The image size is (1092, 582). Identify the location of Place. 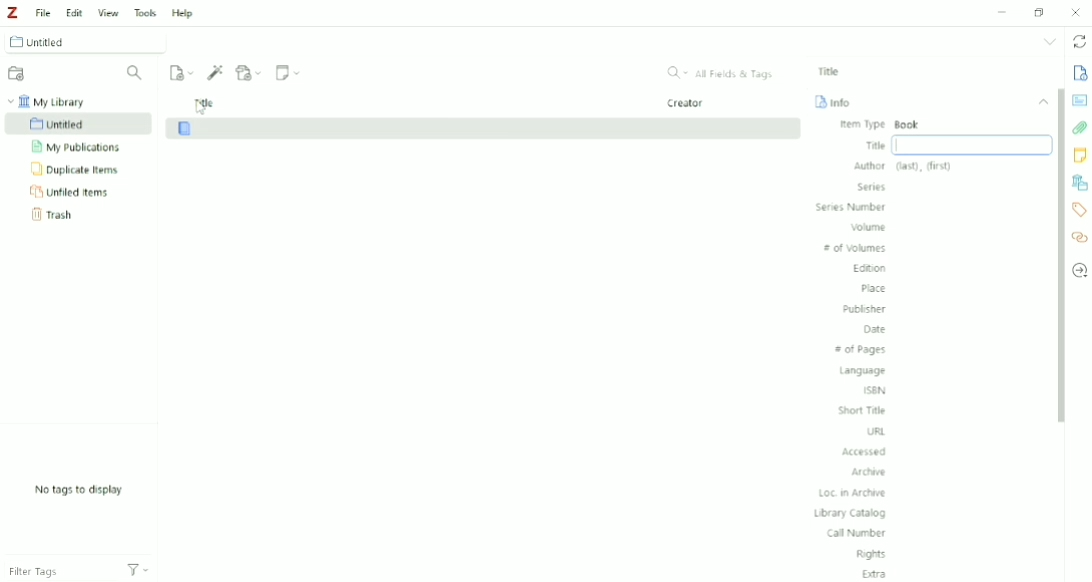
(872, 289).